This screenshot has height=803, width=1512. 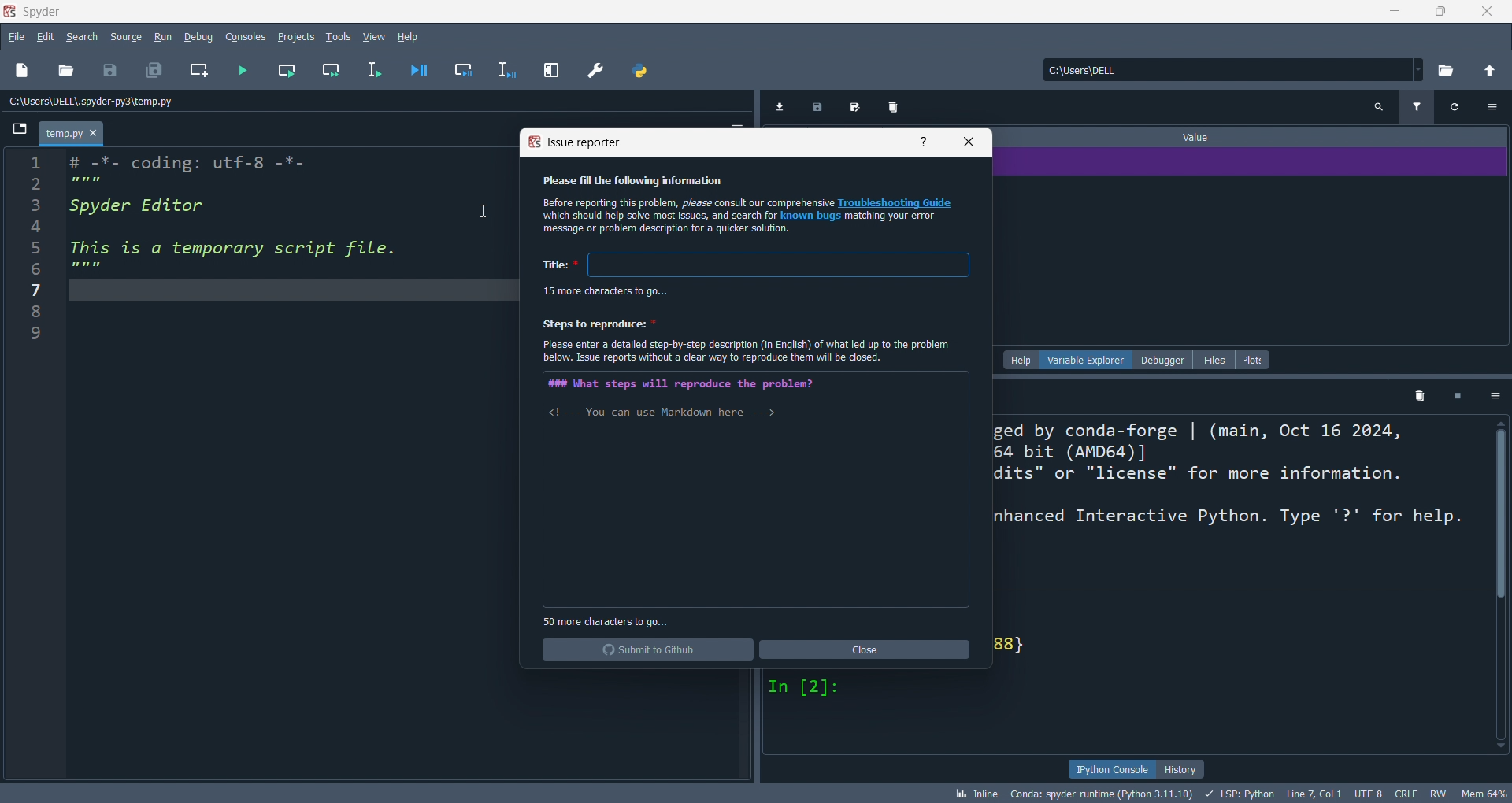 I want to click on expand pane, so click(x=553, y=71).